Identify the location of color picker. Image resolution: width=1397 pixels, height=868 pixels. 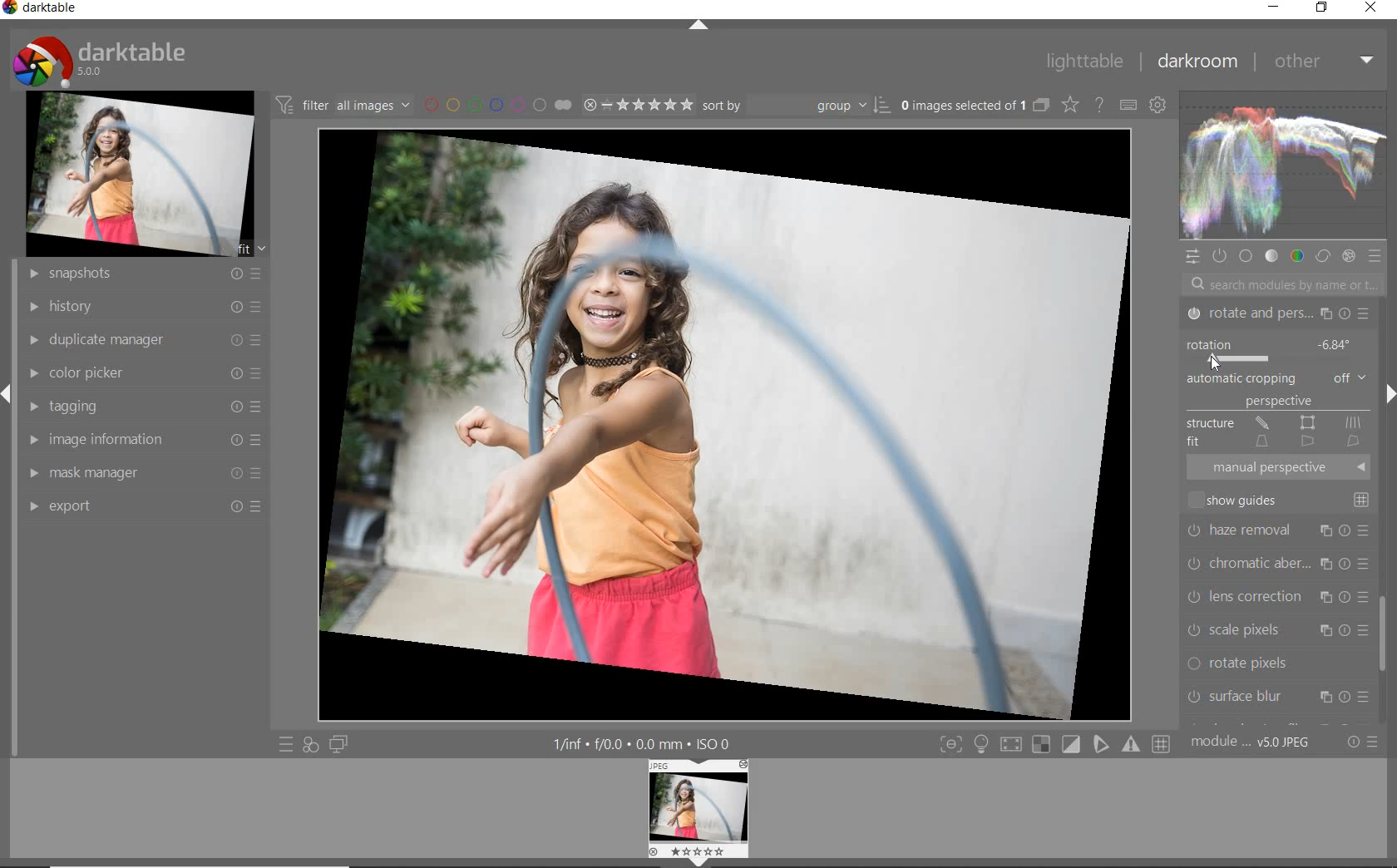
(142, 372).